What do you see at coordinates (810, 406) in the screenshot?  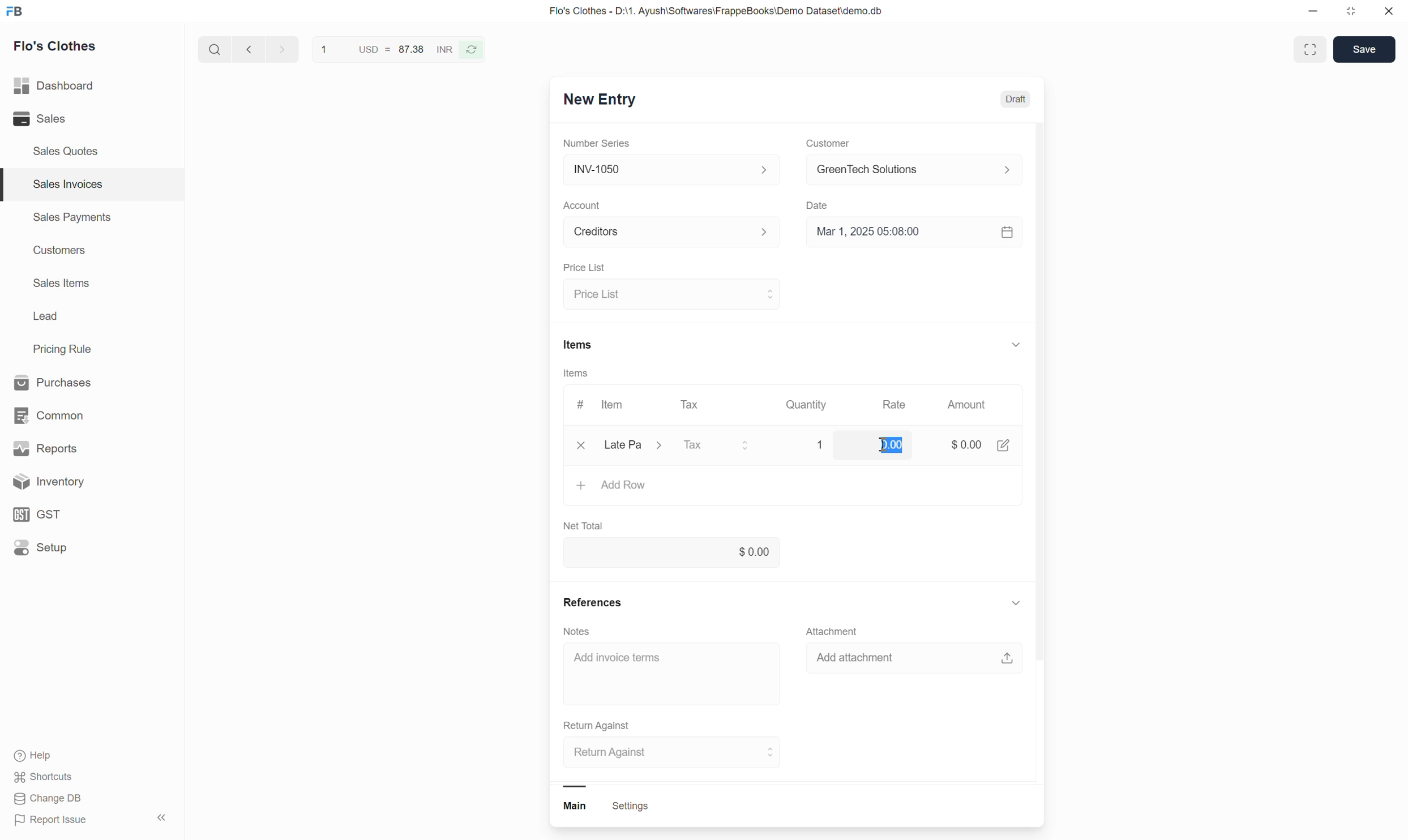 I see `Quantity` at bounding box center [810, 406].